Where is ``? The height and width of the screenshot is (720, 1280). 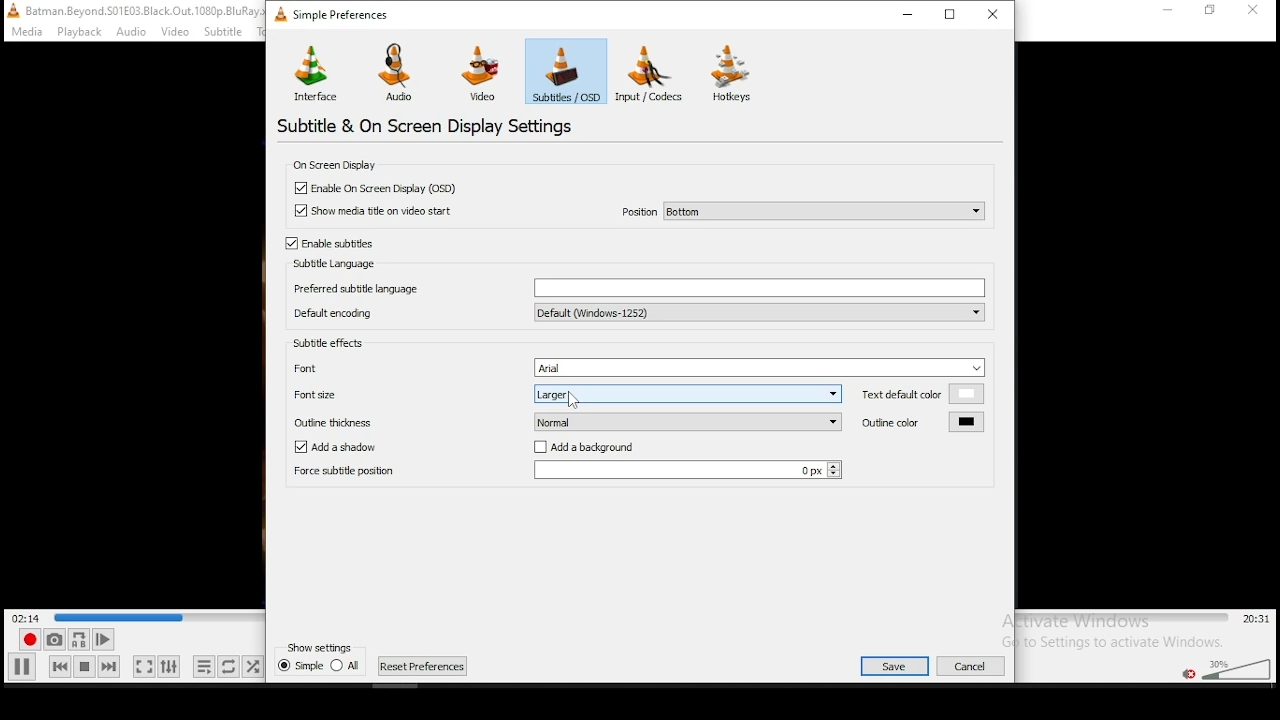  is located at coordinates (1002, 390).